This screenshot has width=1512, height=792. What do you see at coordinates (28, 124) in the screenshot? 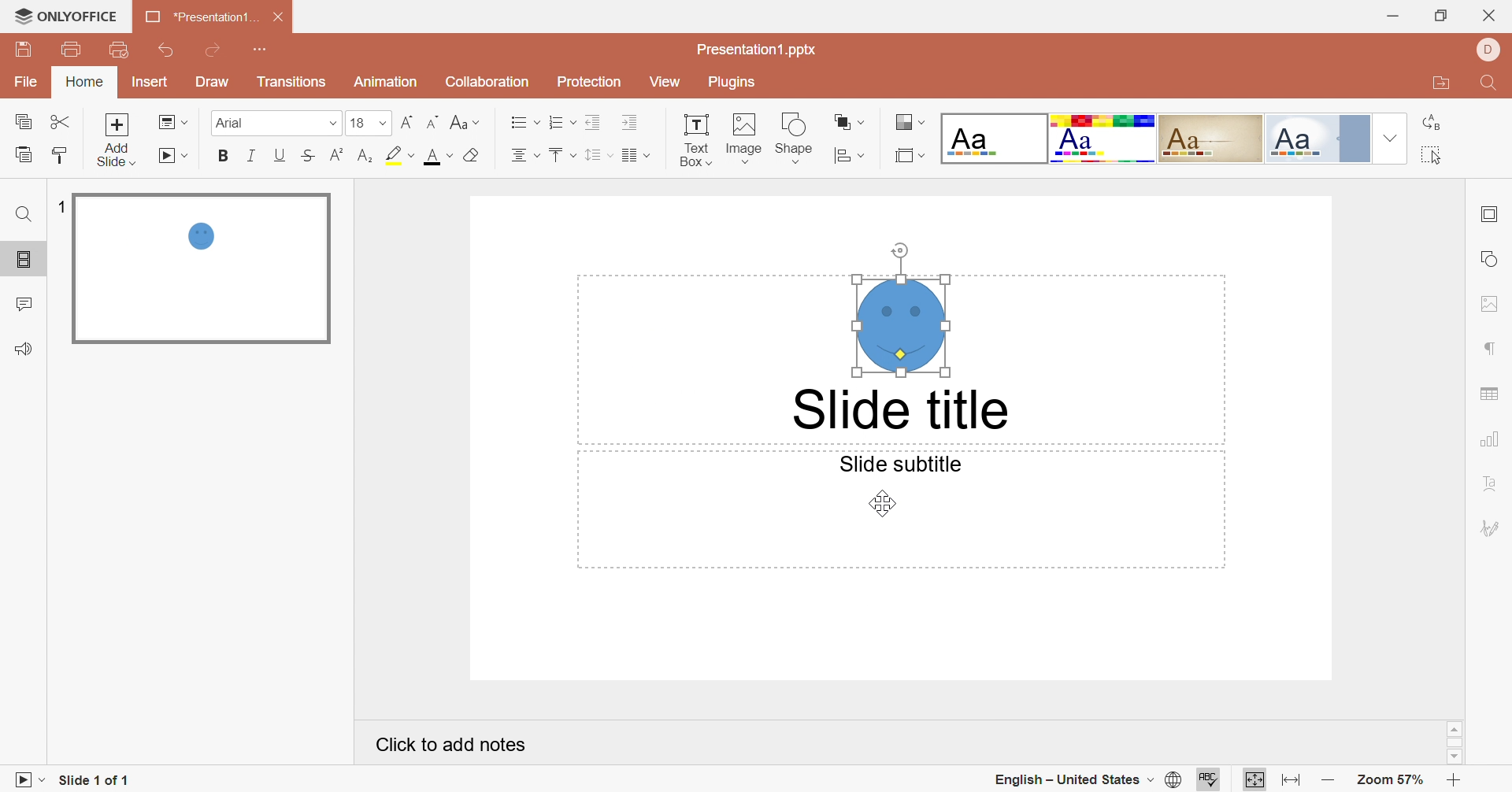
I see `Copy` at bounding box center [28, 124].